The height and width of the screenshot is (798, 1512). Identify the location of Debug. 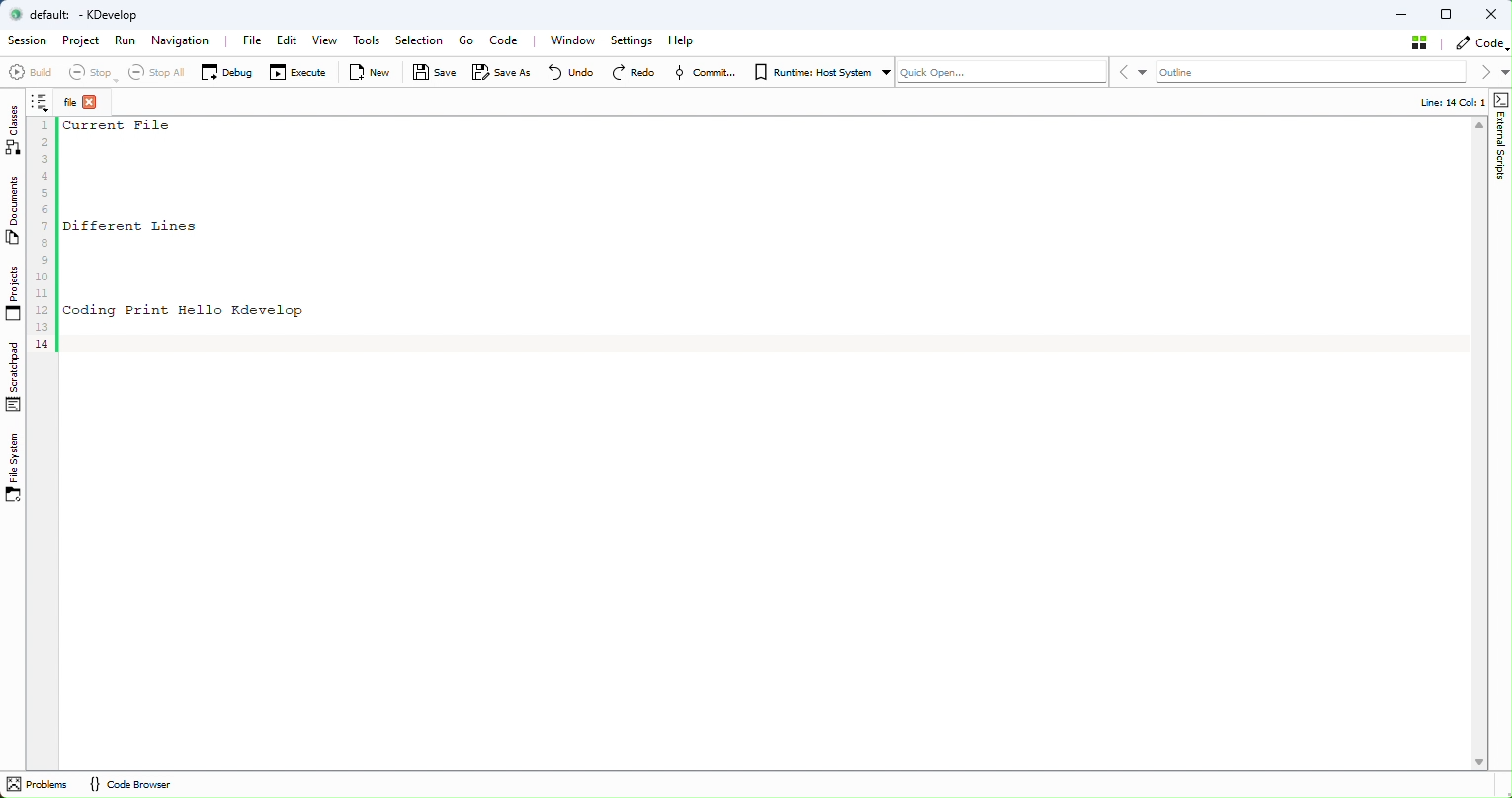
(226, 71).